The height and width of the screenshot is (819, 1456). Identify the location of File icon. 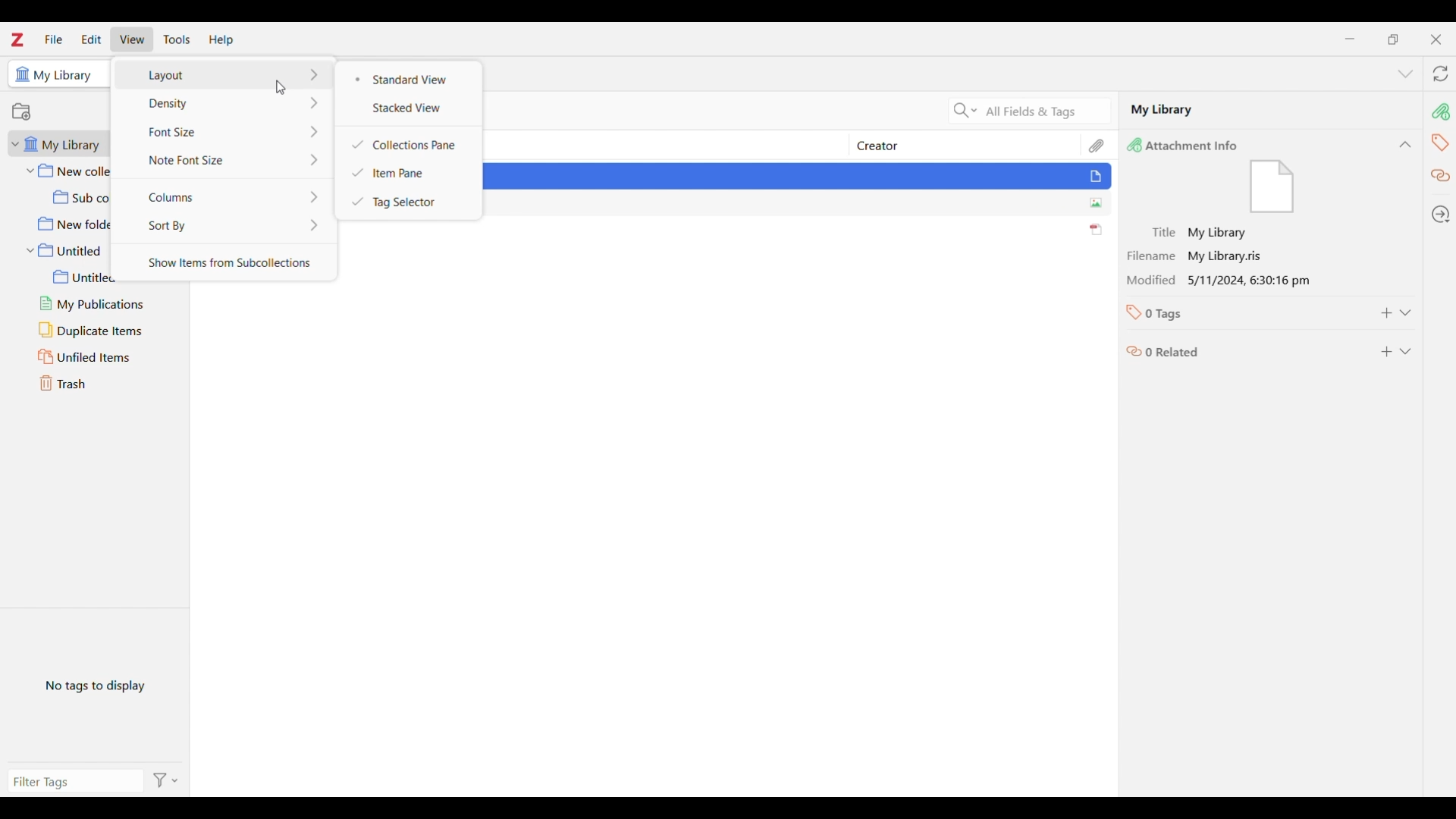
(1274, 190).